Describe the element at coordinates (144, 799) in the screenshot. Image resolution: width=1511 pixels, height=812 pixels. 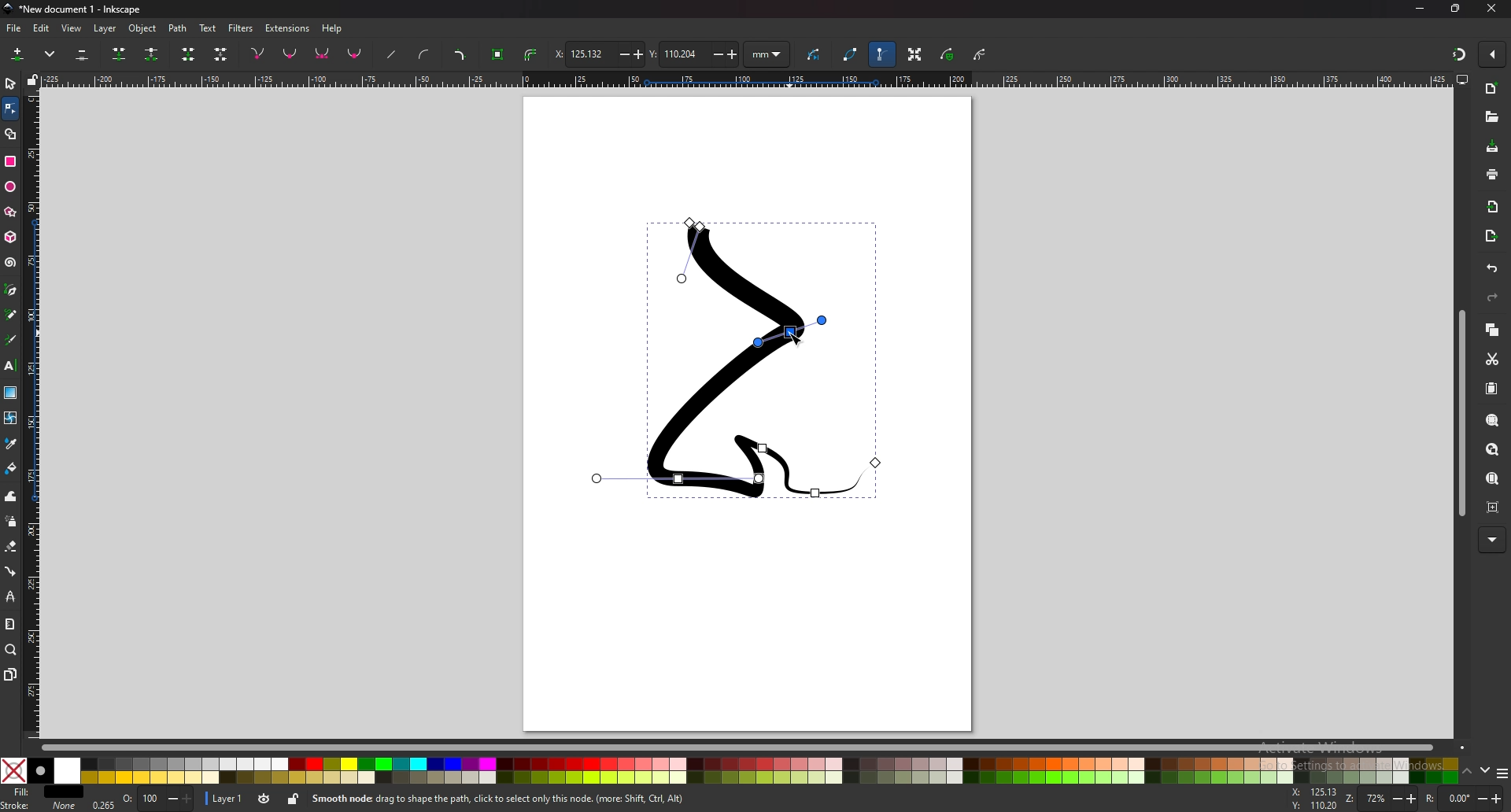
I see `opacity` at that location.